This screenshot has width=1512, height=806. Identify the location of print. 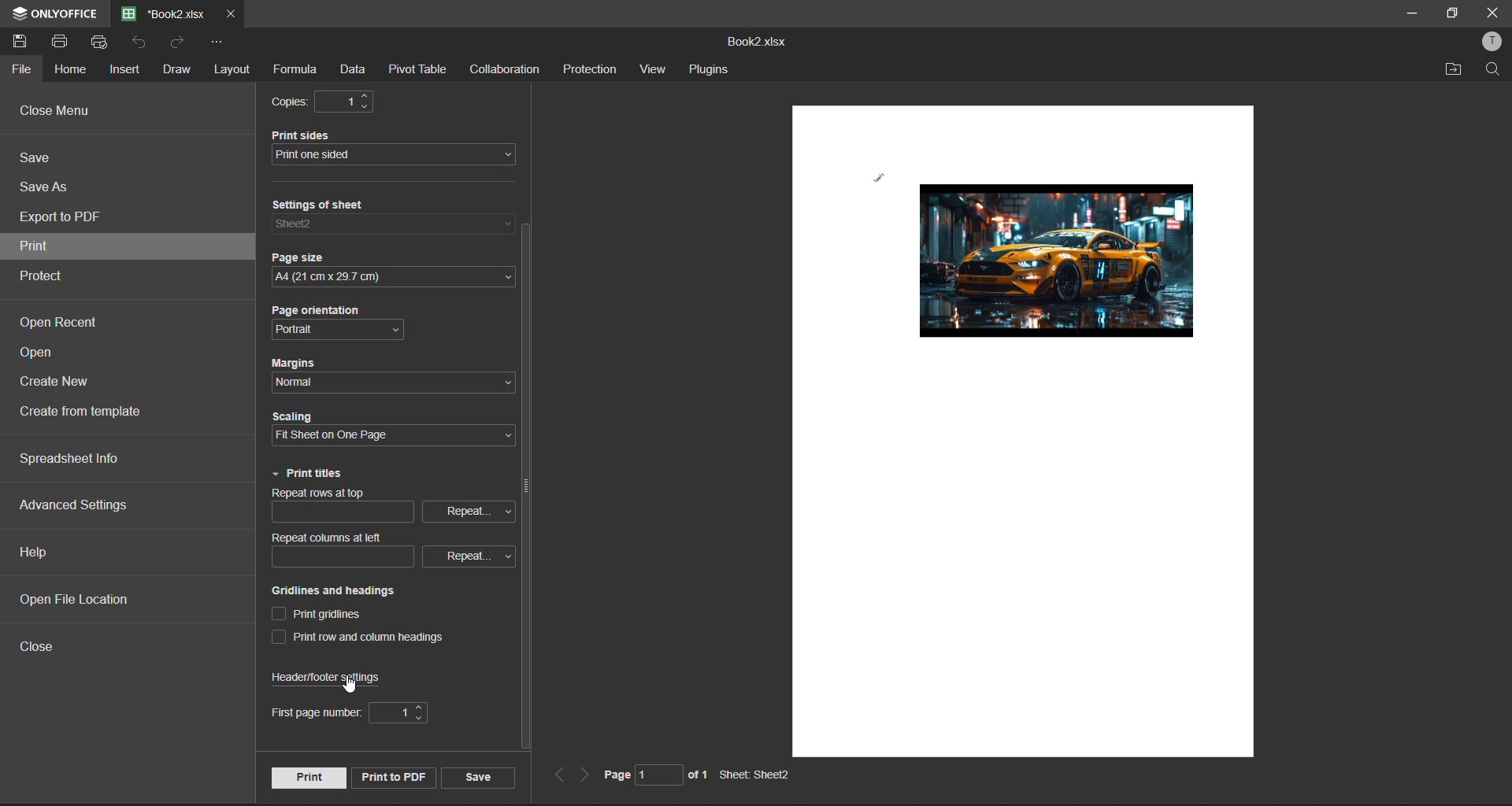
(42, 246).